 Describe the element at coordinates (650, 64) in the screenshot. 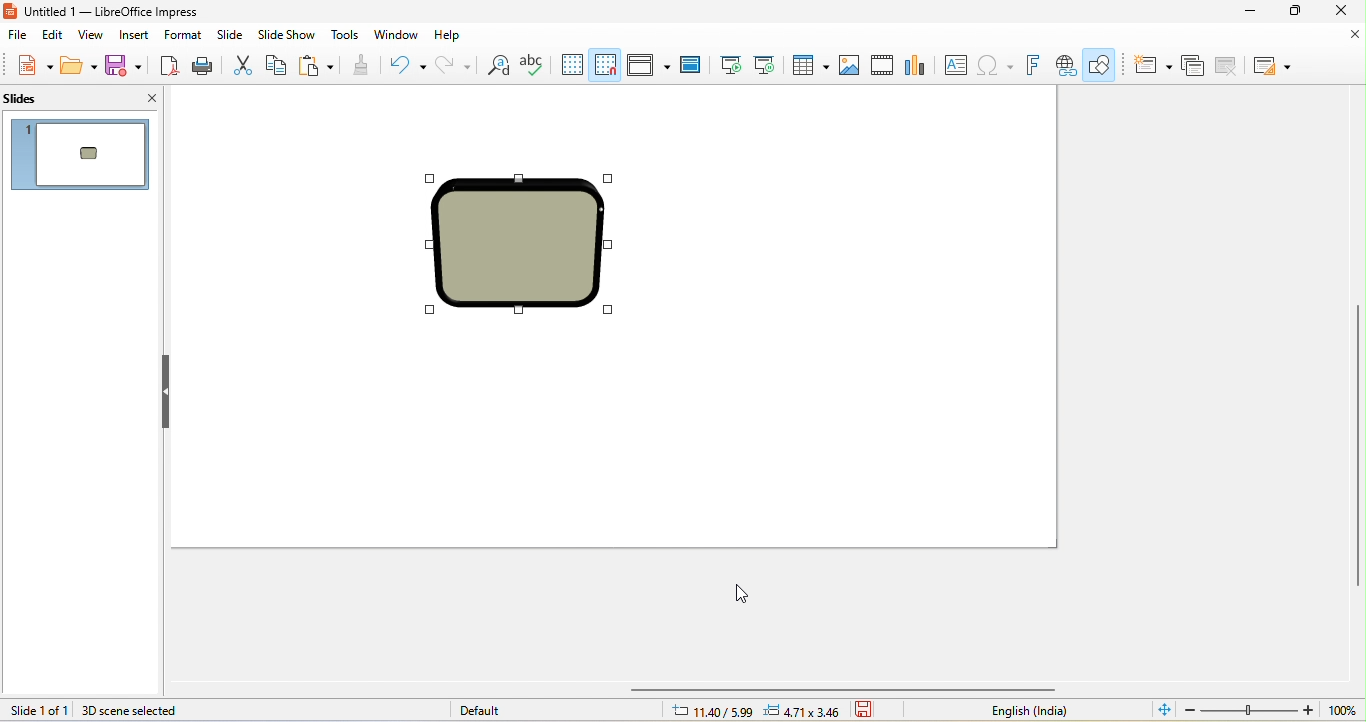

I see `display view` at that location.